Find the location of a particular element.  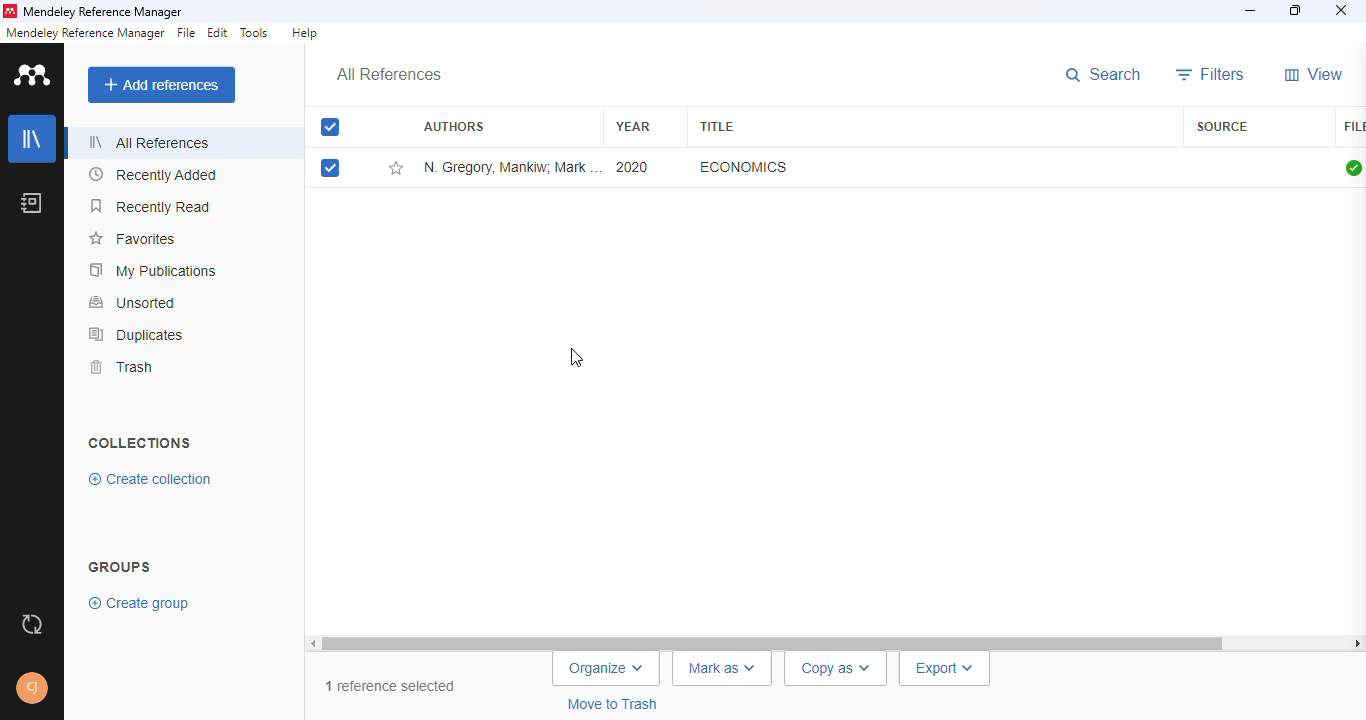

move to trash is located at coordinates (615, 704).